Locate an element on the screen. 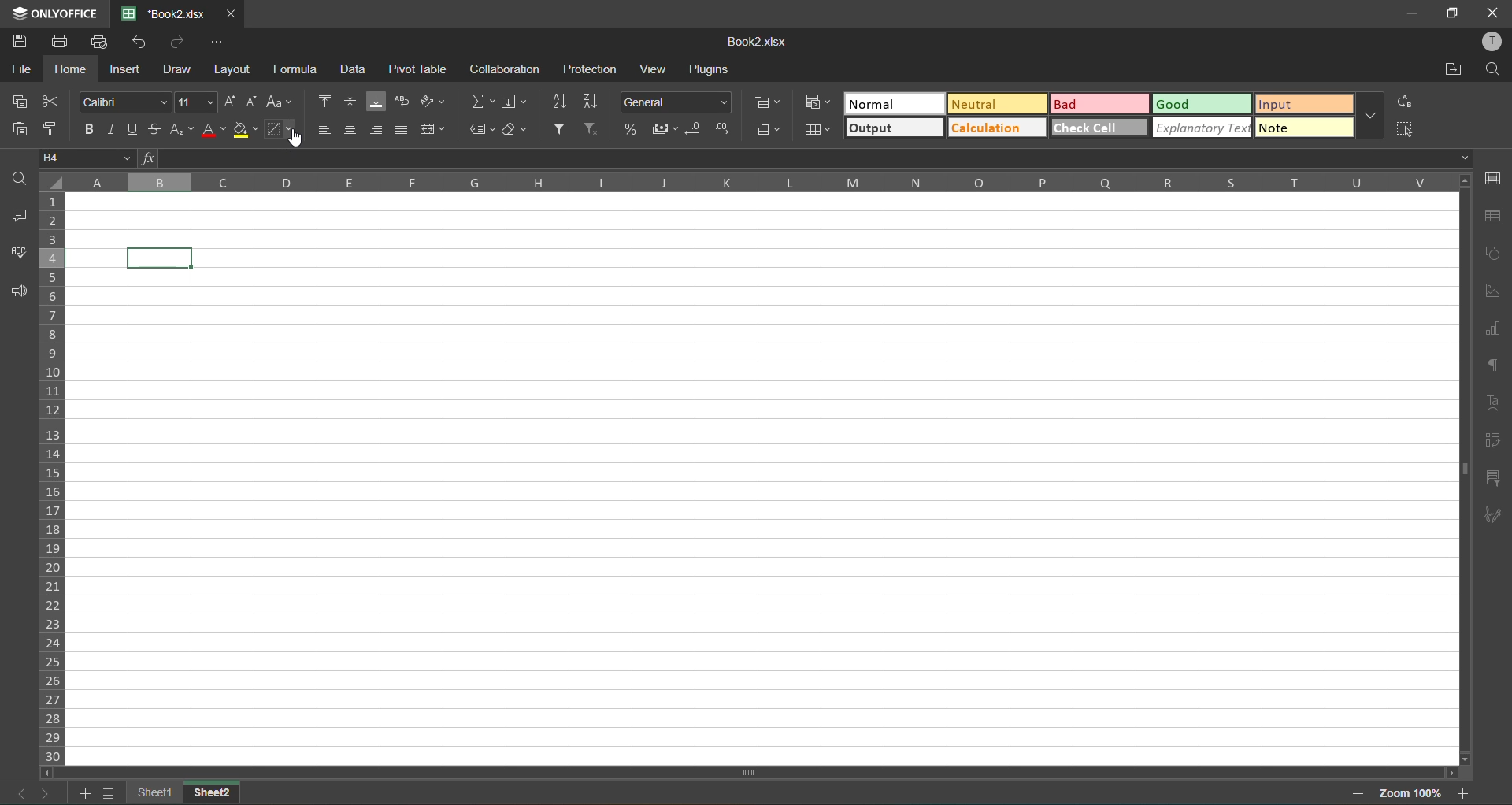 The height and width of the screenshot is (805, 1512). font size is located at coordinates (194, 102).